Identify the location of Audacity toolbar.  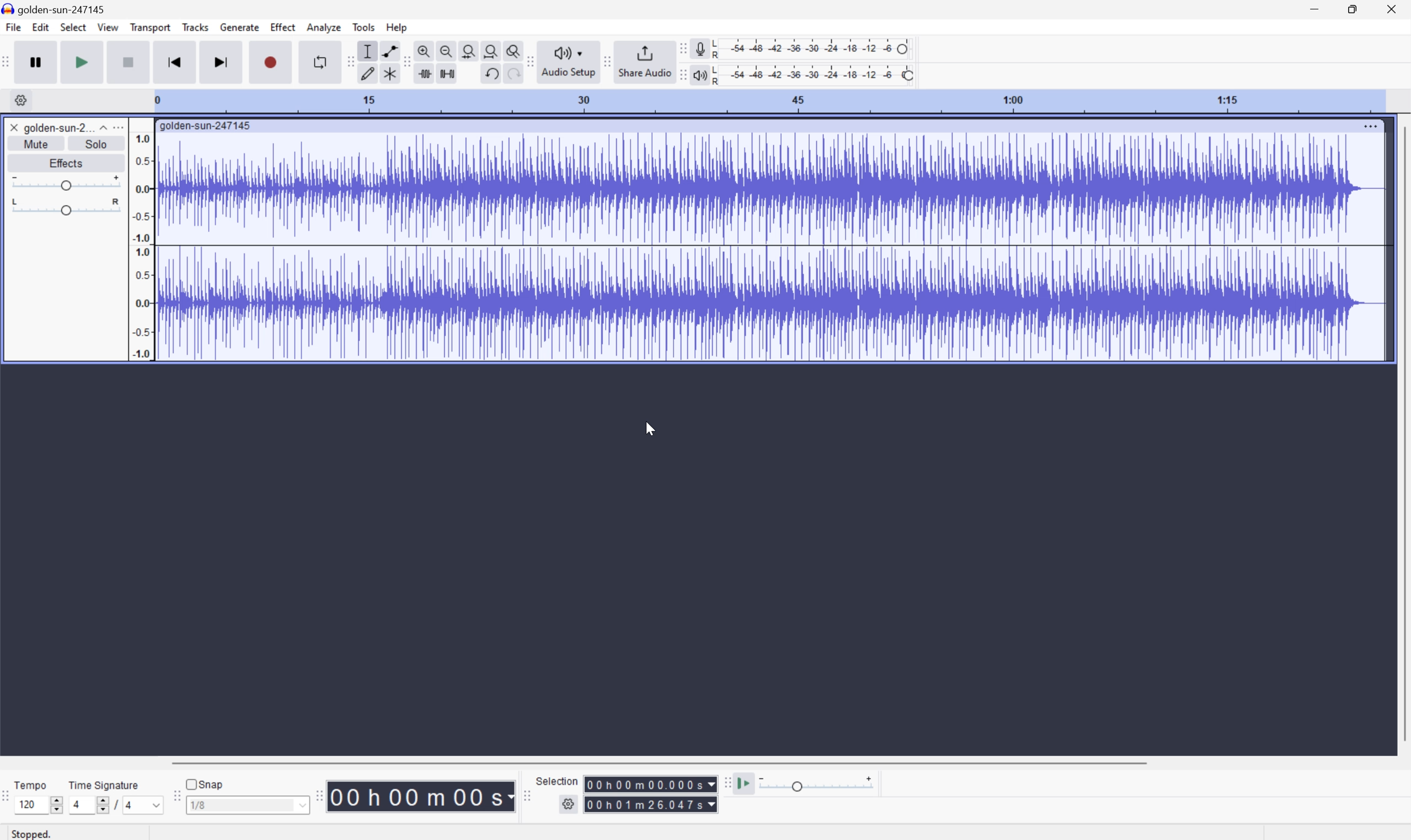
(319, 795).